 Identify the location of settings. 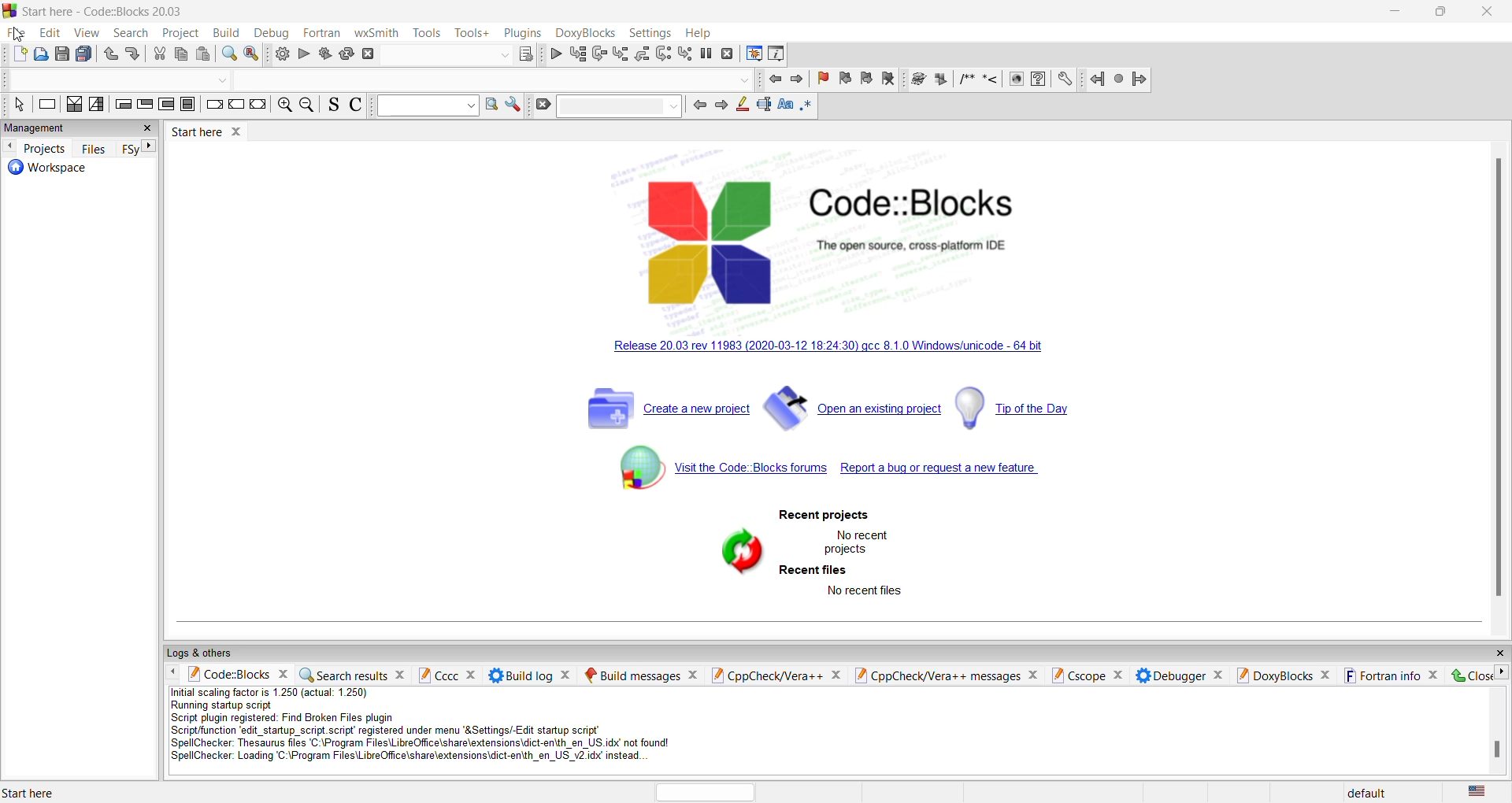
(648, 33).